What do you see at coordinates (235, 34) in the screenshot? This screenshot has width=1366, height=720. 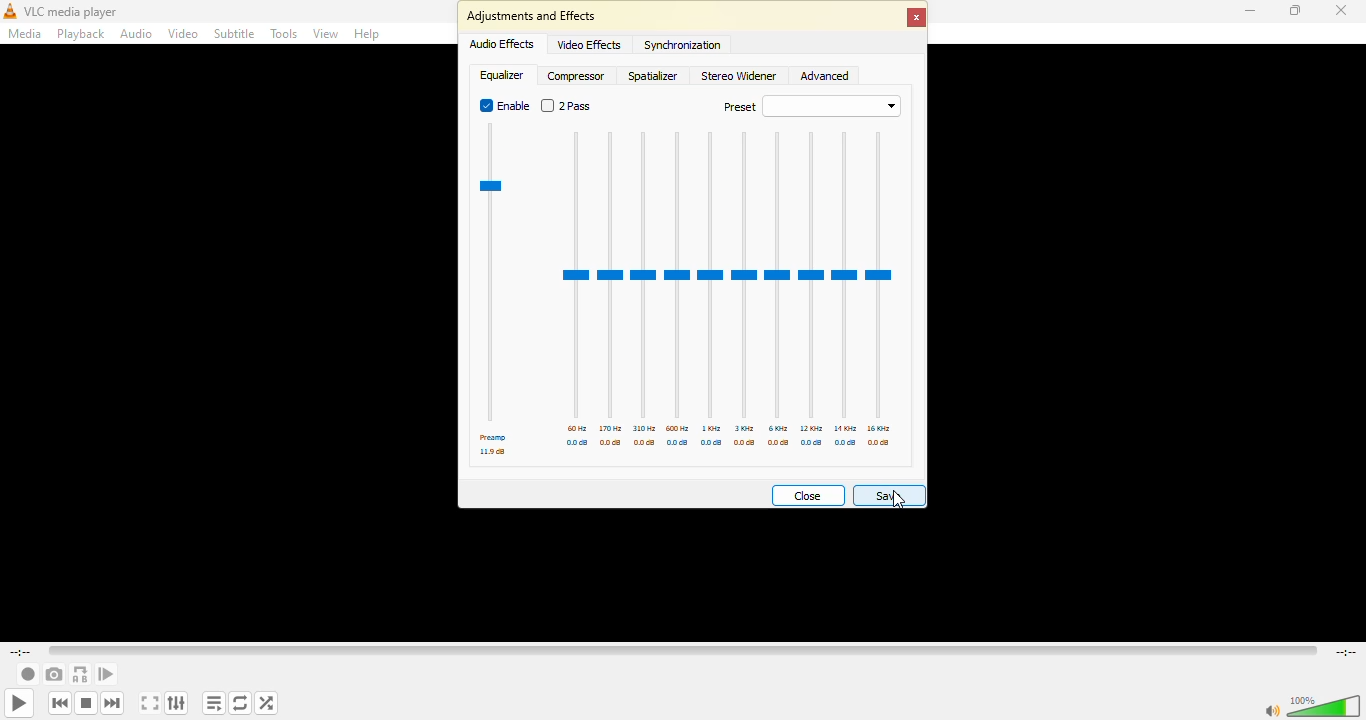 I see `subtitle` at bounding box center [235, 34].